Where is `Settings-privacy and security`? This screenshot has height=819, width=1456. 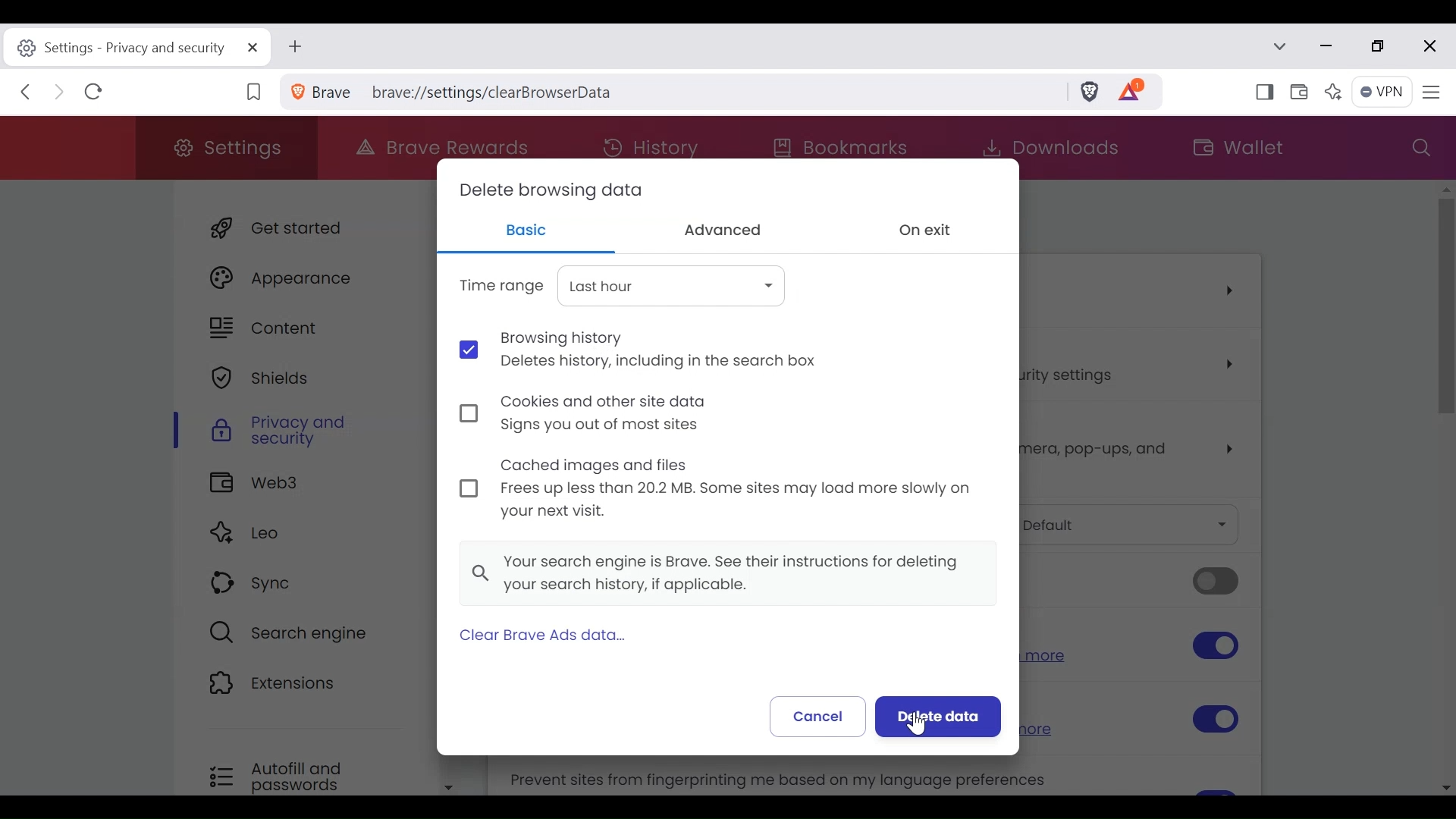 Settings-privacy and security is located at coordinates (136, 48).